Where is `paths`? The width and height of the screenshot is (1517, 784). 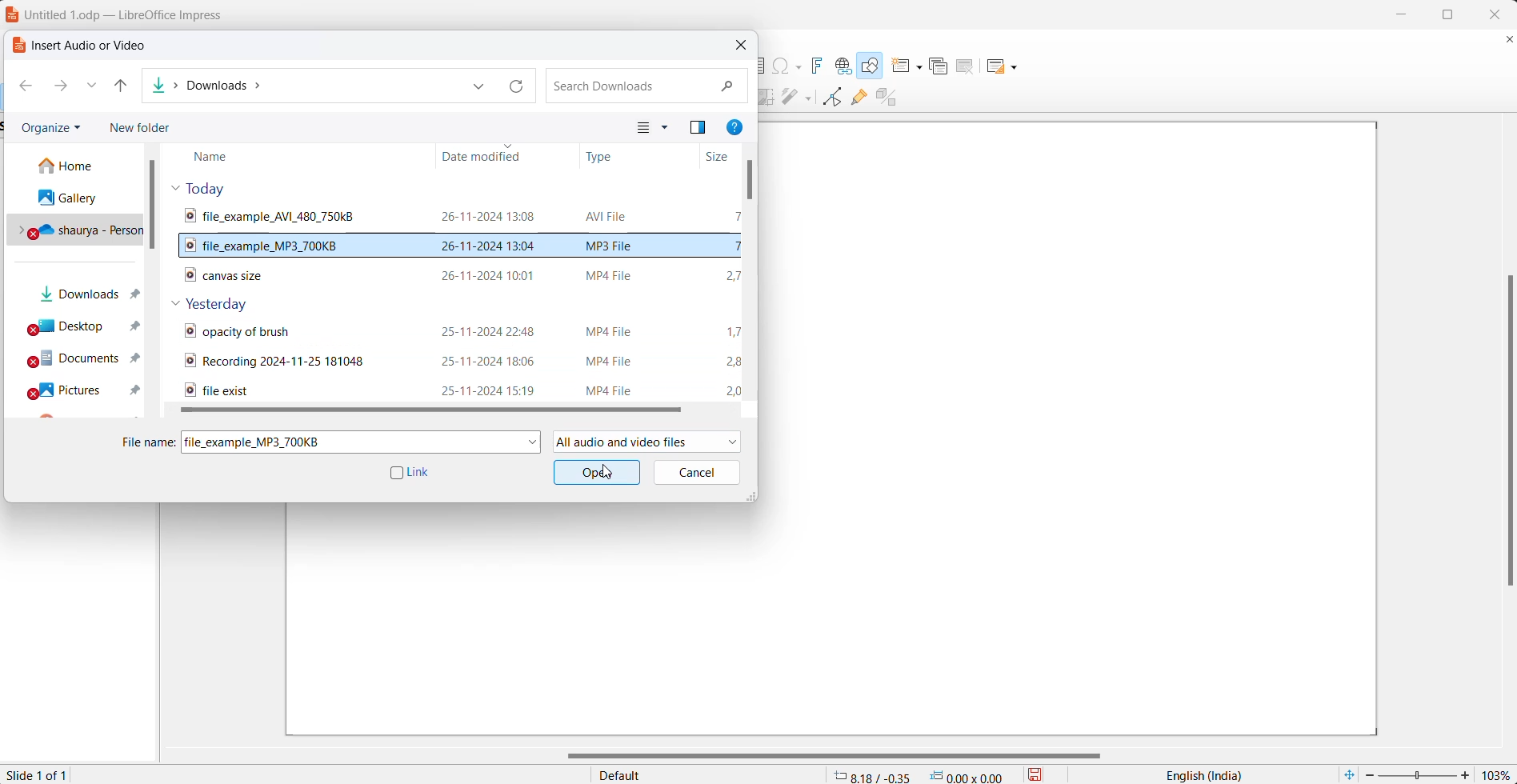 paths is located at coordinates (302, 86).